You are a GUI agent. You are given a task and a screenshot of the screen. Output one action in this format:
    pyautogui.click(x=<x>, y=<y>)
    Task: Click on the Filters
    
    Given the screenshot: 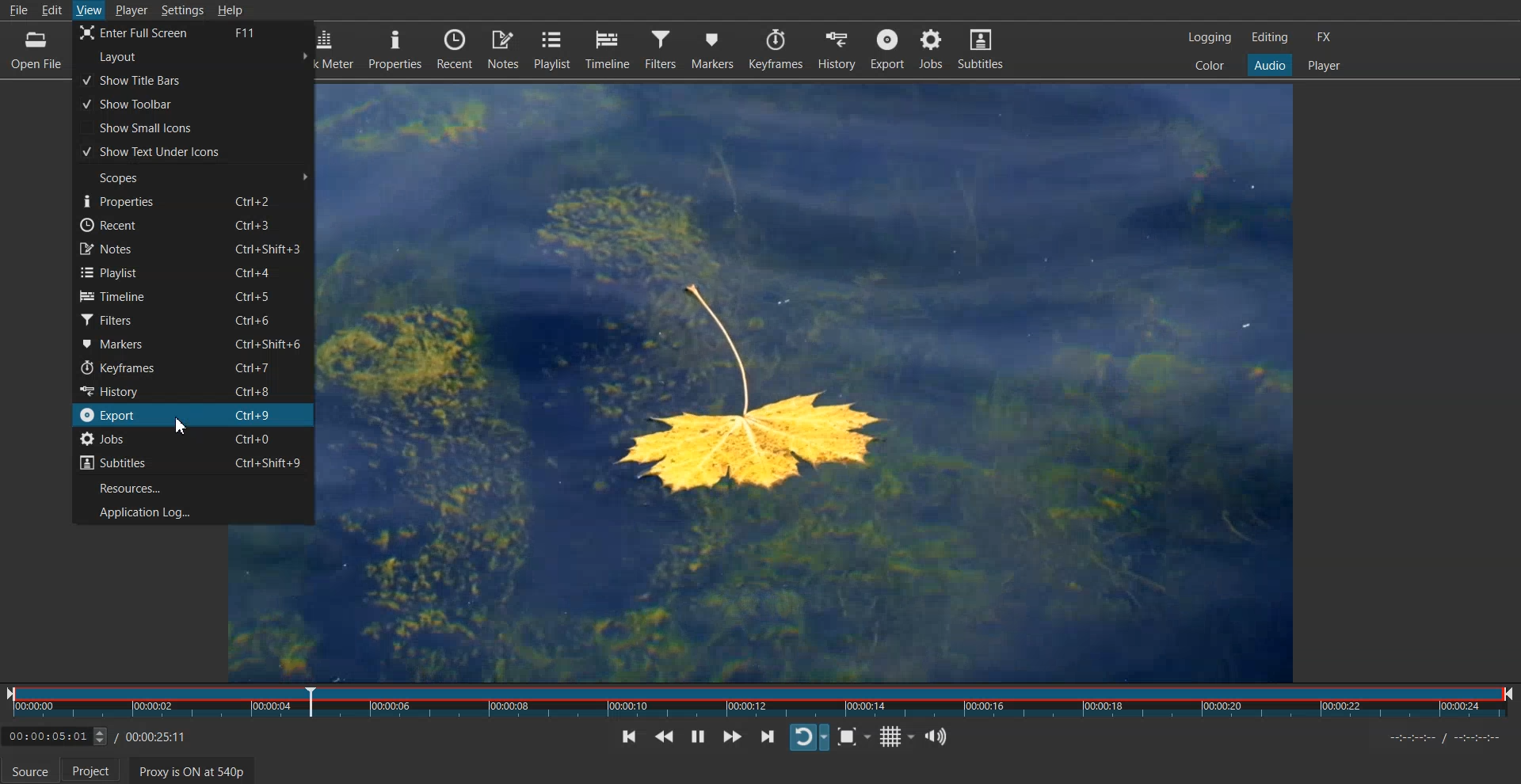 What is the action you would take?
    pyautogui.click(x=661, y=49)
    